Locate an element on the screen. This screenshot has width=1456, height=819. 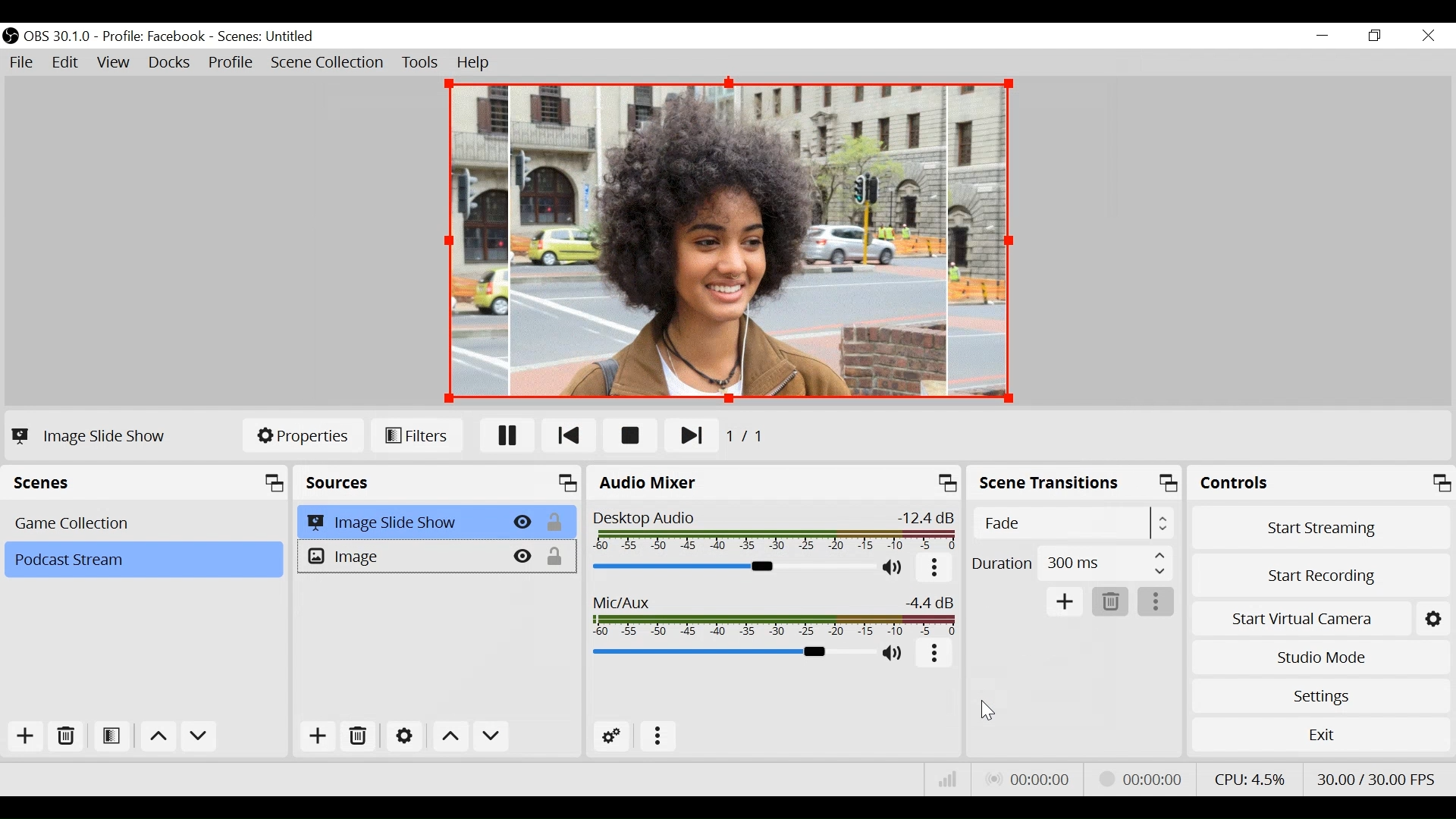
minimize is located at coordinates (1326, 36).